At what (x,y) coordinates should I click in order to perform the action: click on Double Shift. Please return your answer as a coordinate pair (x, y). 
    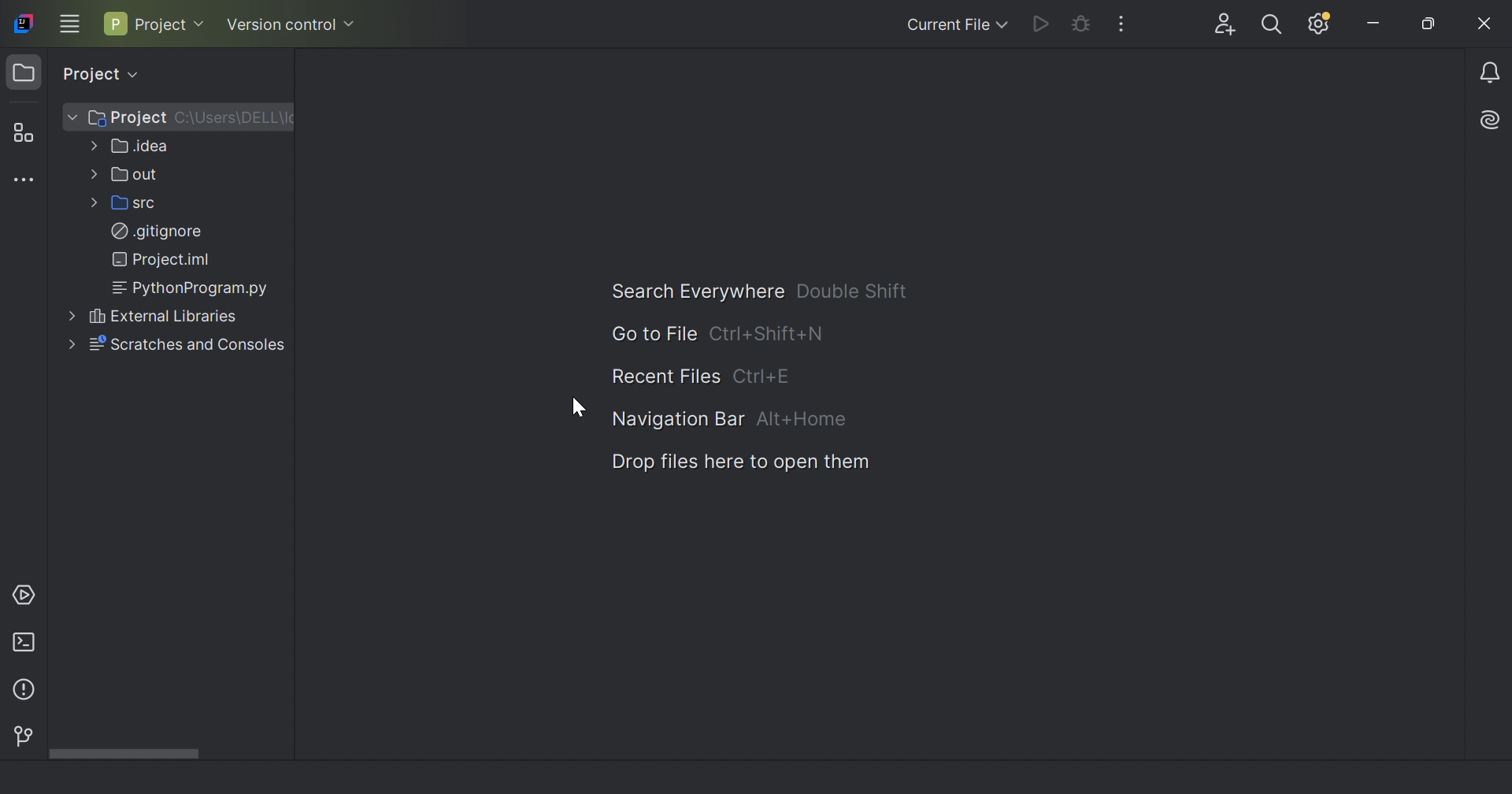
    Looking at the image, I should click on (855, 290).